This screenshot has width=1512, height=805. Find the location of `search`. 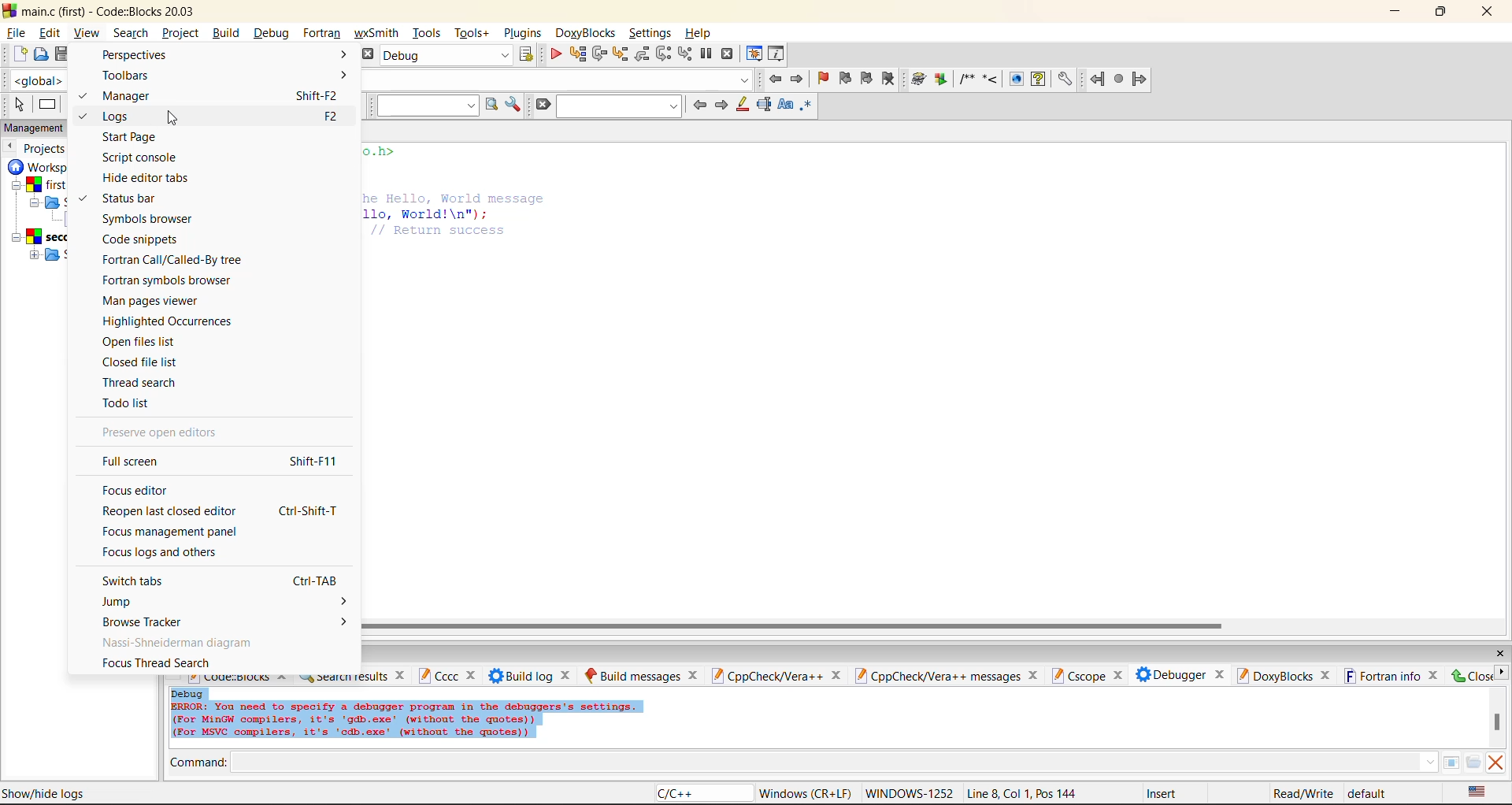

search is located at coordinates (617, 106).